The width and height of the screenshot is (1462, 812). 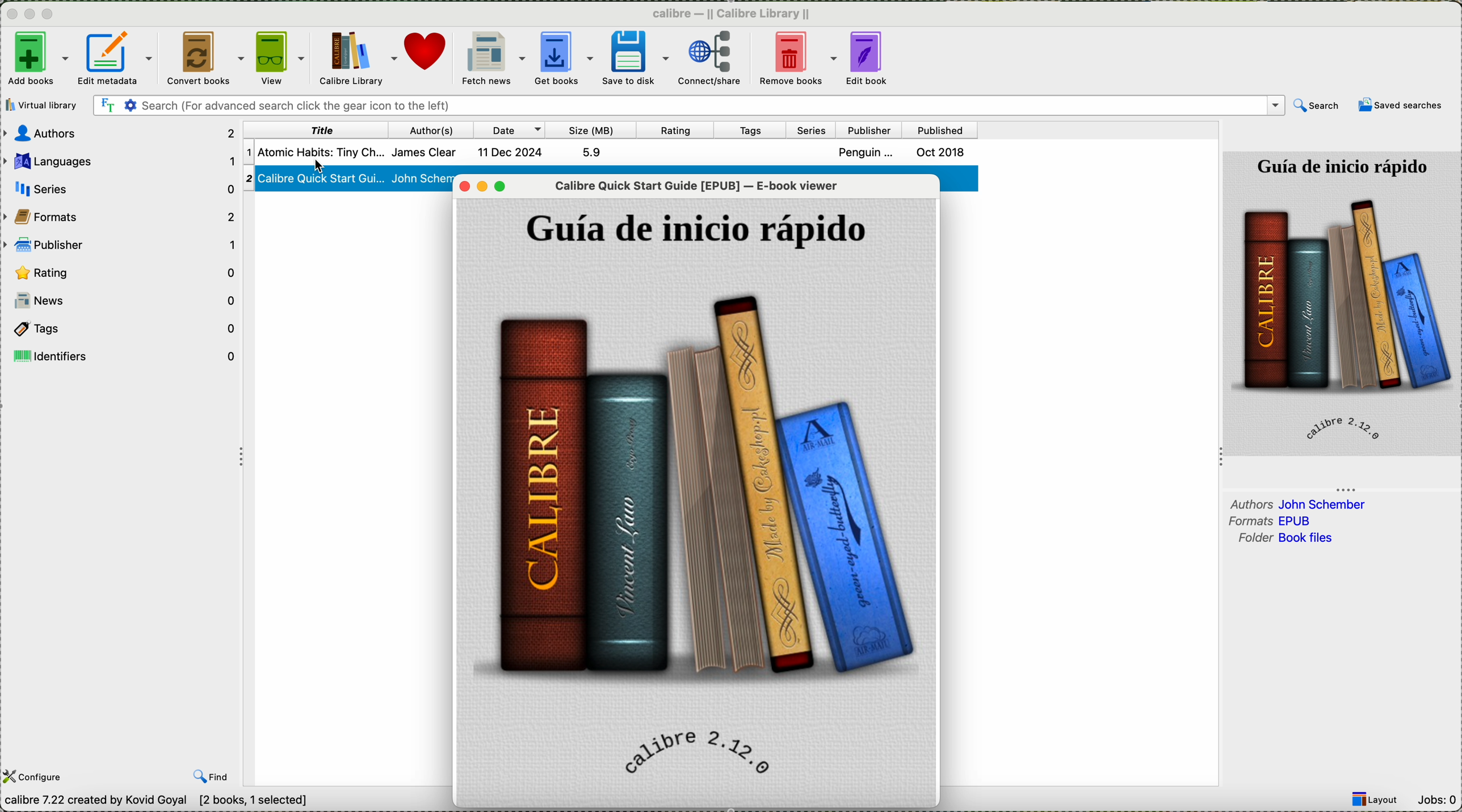 What do you see at coordinates (48, 14) in the screenshot?
I see `maximize` at bounding box center [48, 14].